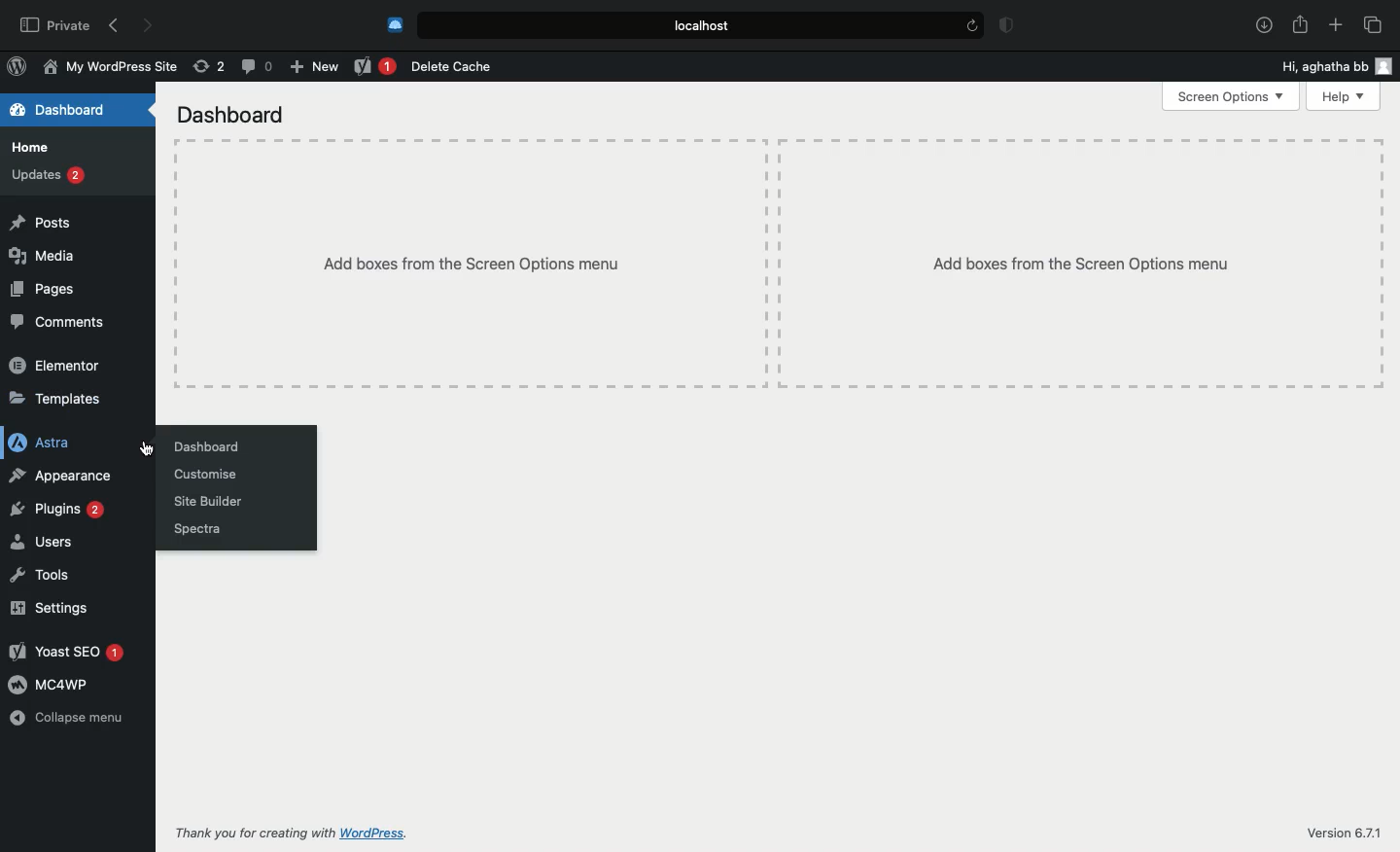 Image resolution: width=1400 pixels, height=852 pixels. What do you see at coordinates (314, 66) in the screenshot?
I see `New` at bounding box center [314, 66].